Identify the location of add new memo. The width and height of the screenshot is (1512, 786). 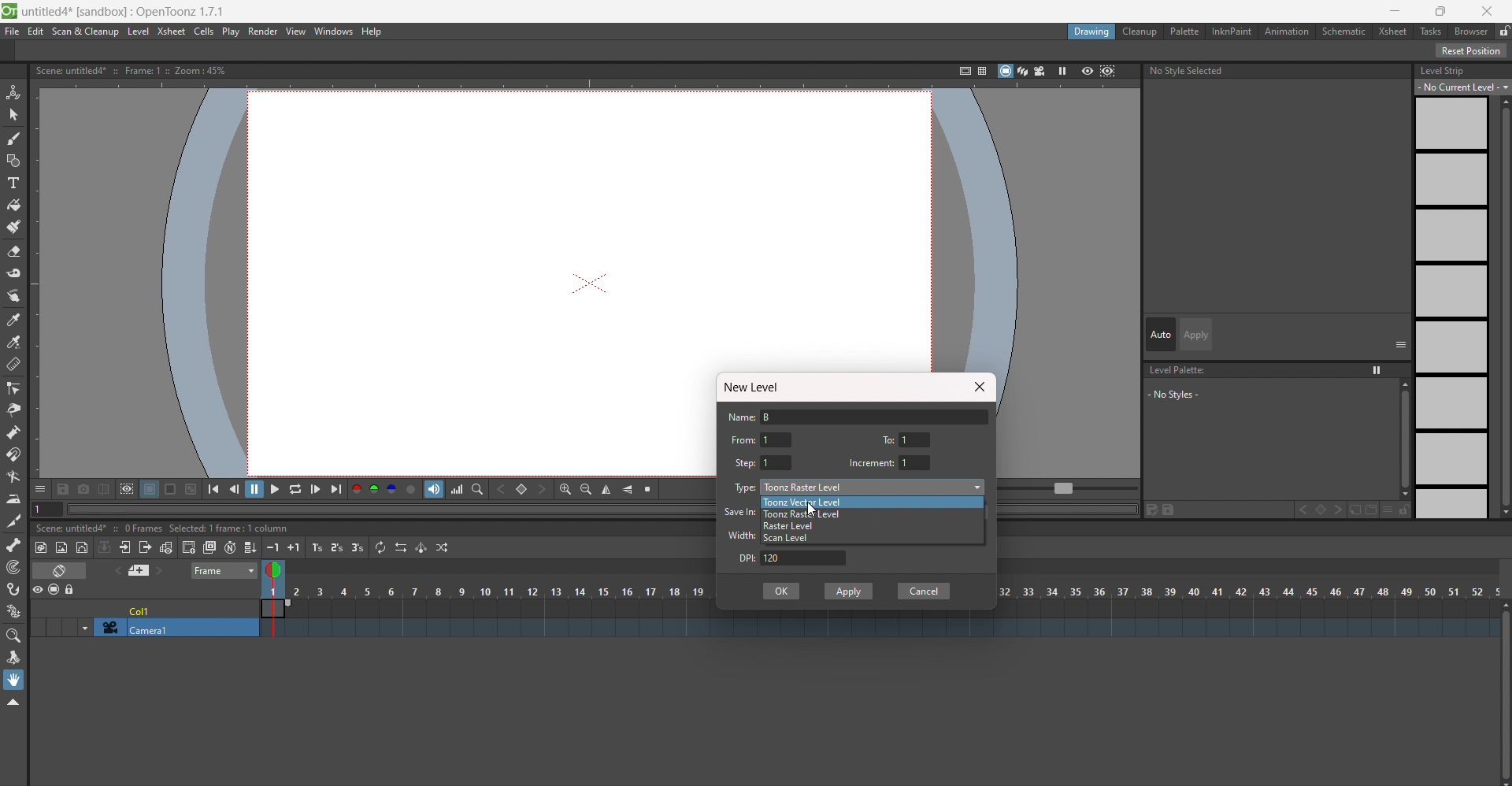
(143, 570).